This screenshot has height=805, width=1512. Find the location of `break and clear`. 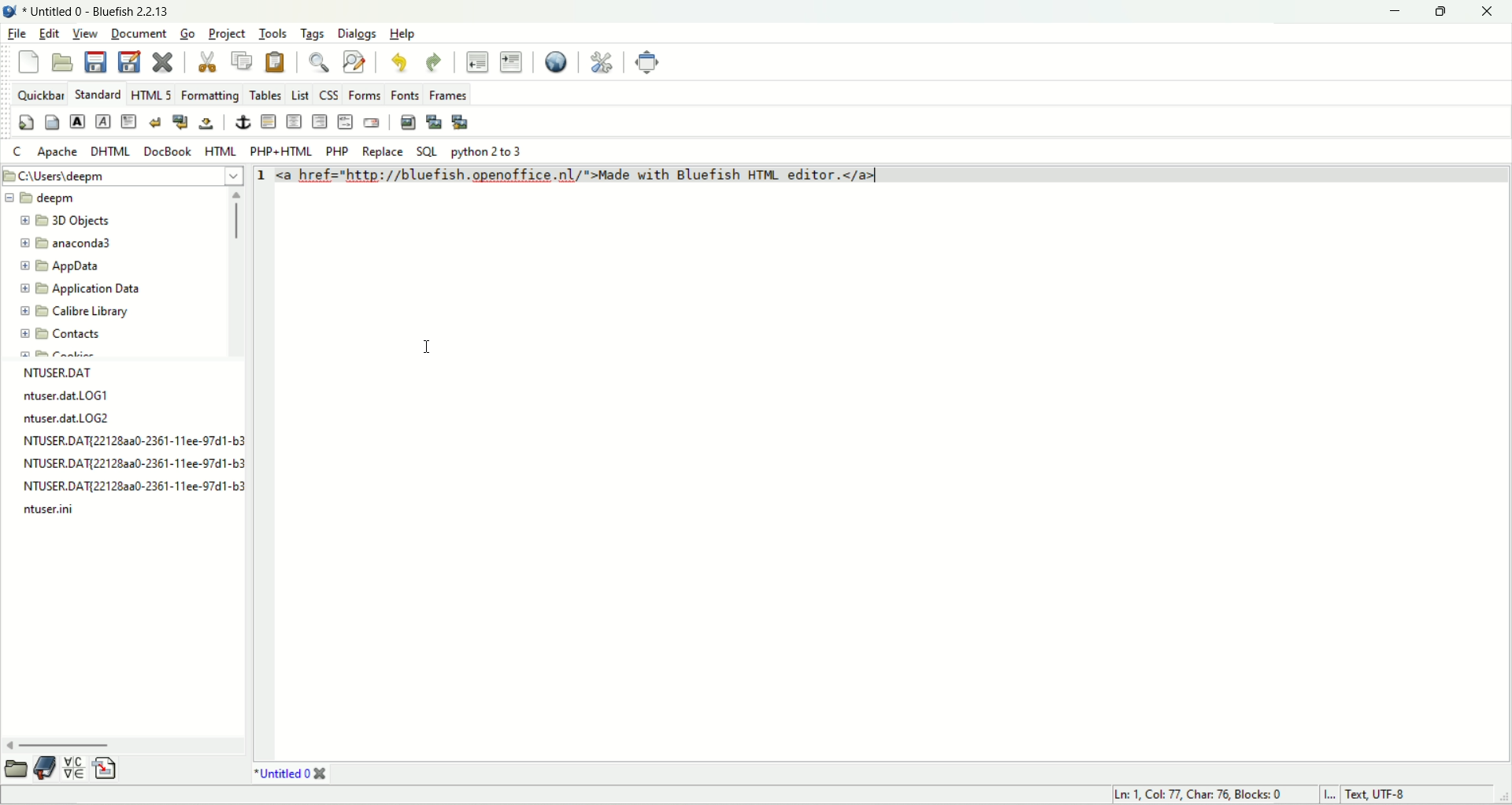

break and clear is located at coordinates (180, 121).